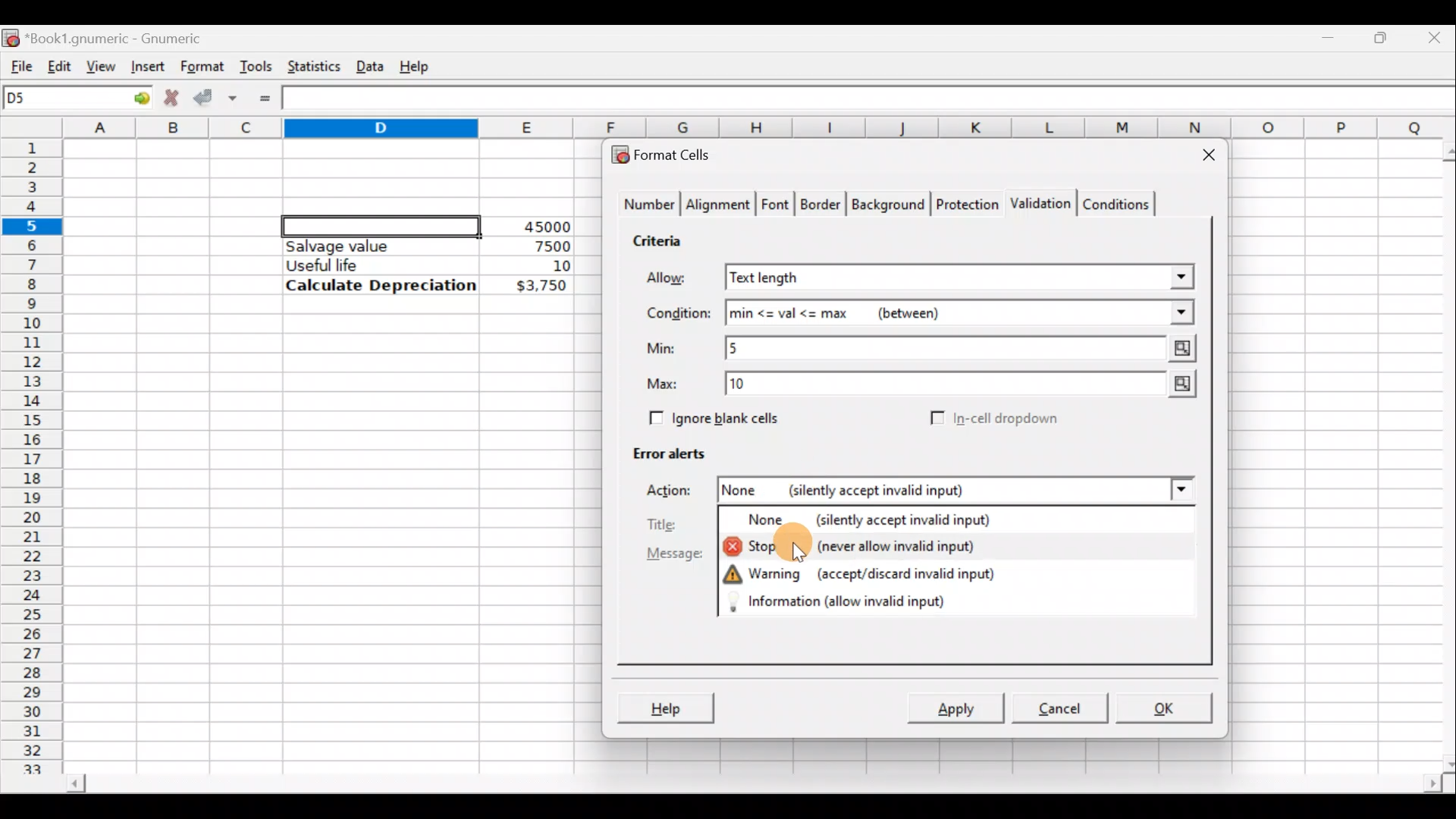 This screenshot has width=1456, height=819. I want to click on Book1.gnumeric - Gnumeric, so click(124, 37).